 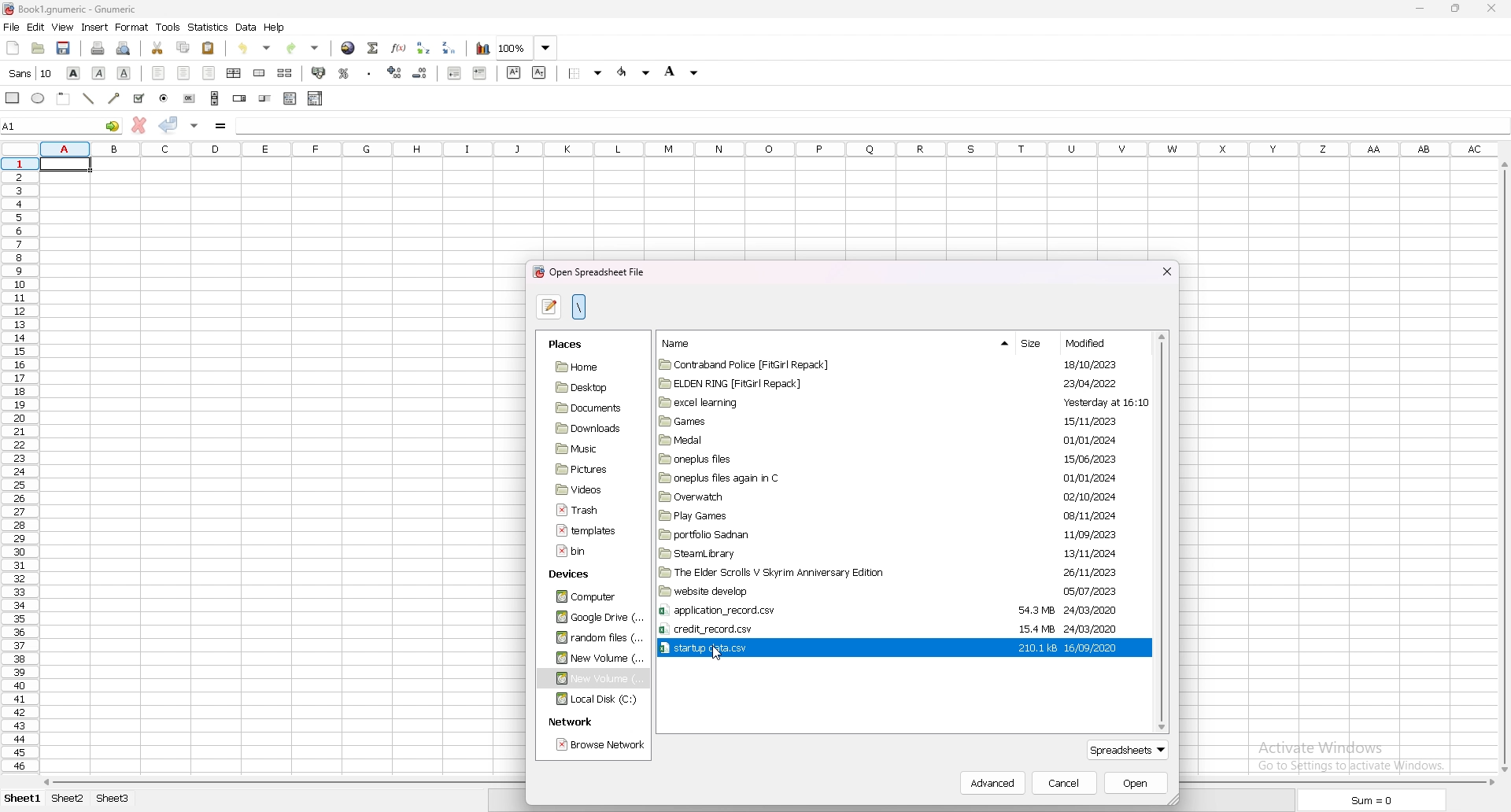 What do you see at coordinates (598, 746) in the screenshot?
I see `browse network` at bounding box center [598, 746].